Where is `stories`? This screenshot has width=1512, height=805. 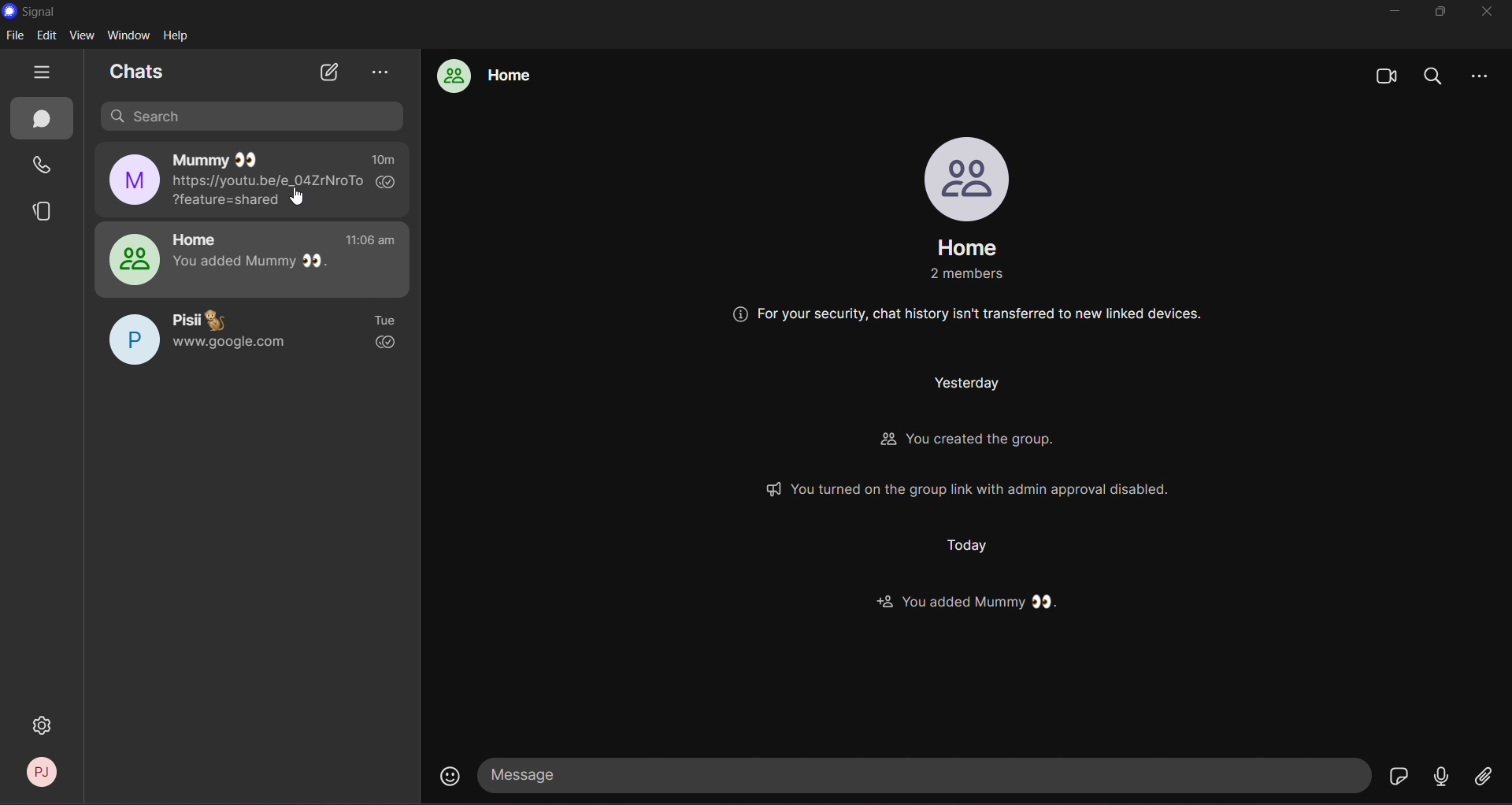 stories is located at coordinates (43, 209).